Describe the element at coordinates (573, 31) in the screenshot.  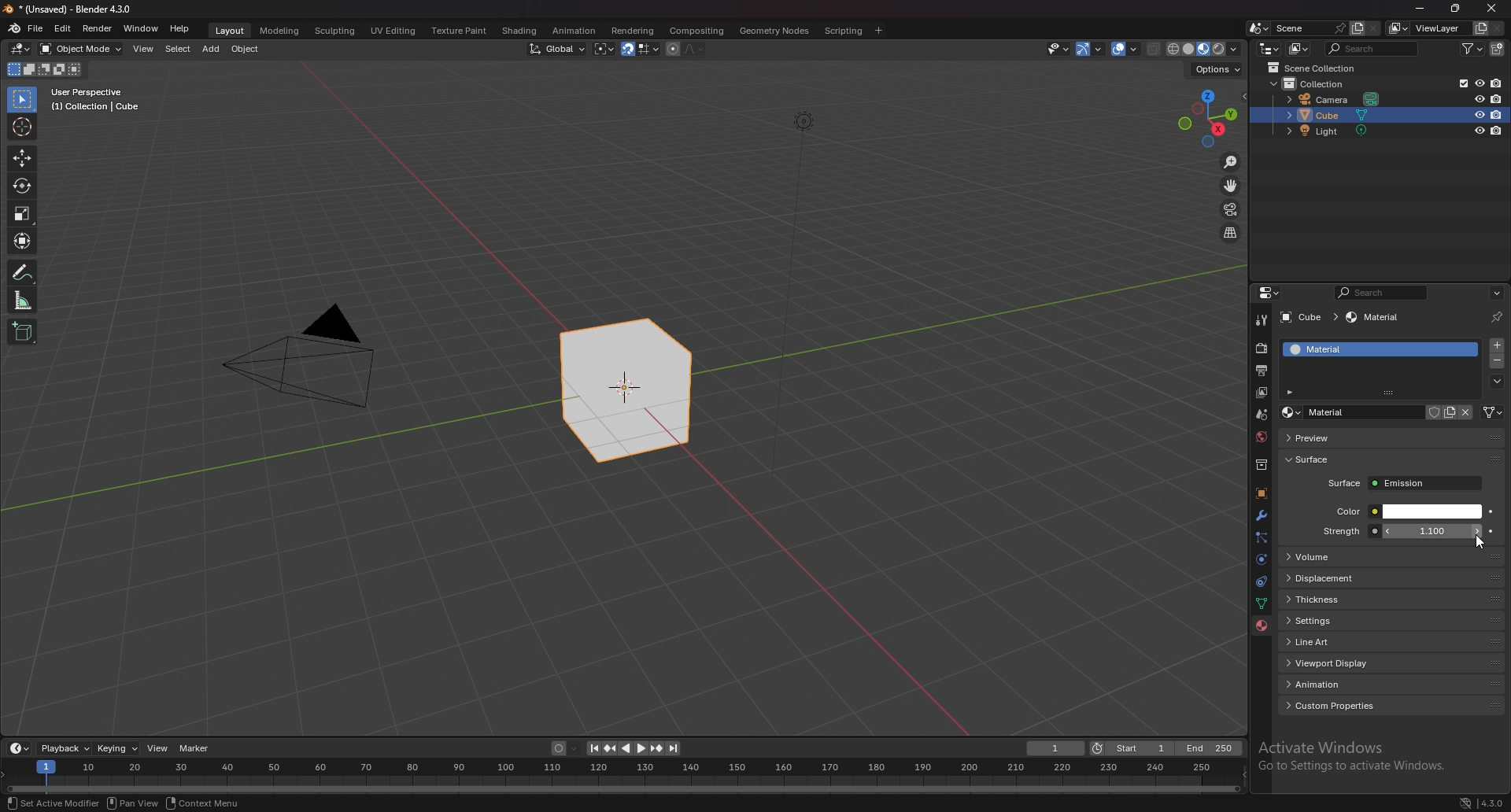
I see `animation` at that location.